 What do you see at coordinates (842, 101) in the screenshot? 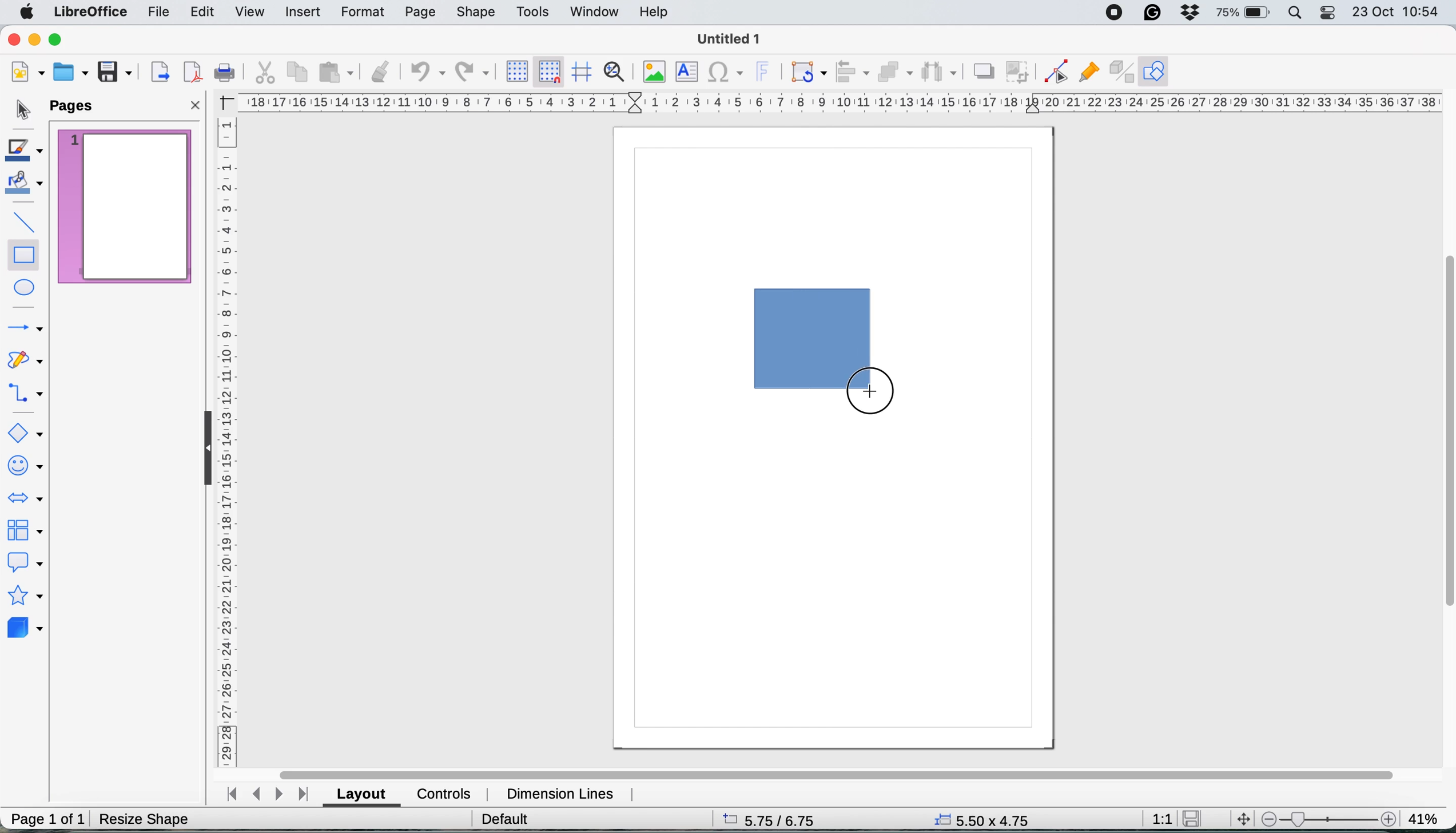
I see `hortizonal scale` at bounding box center [842, 101].